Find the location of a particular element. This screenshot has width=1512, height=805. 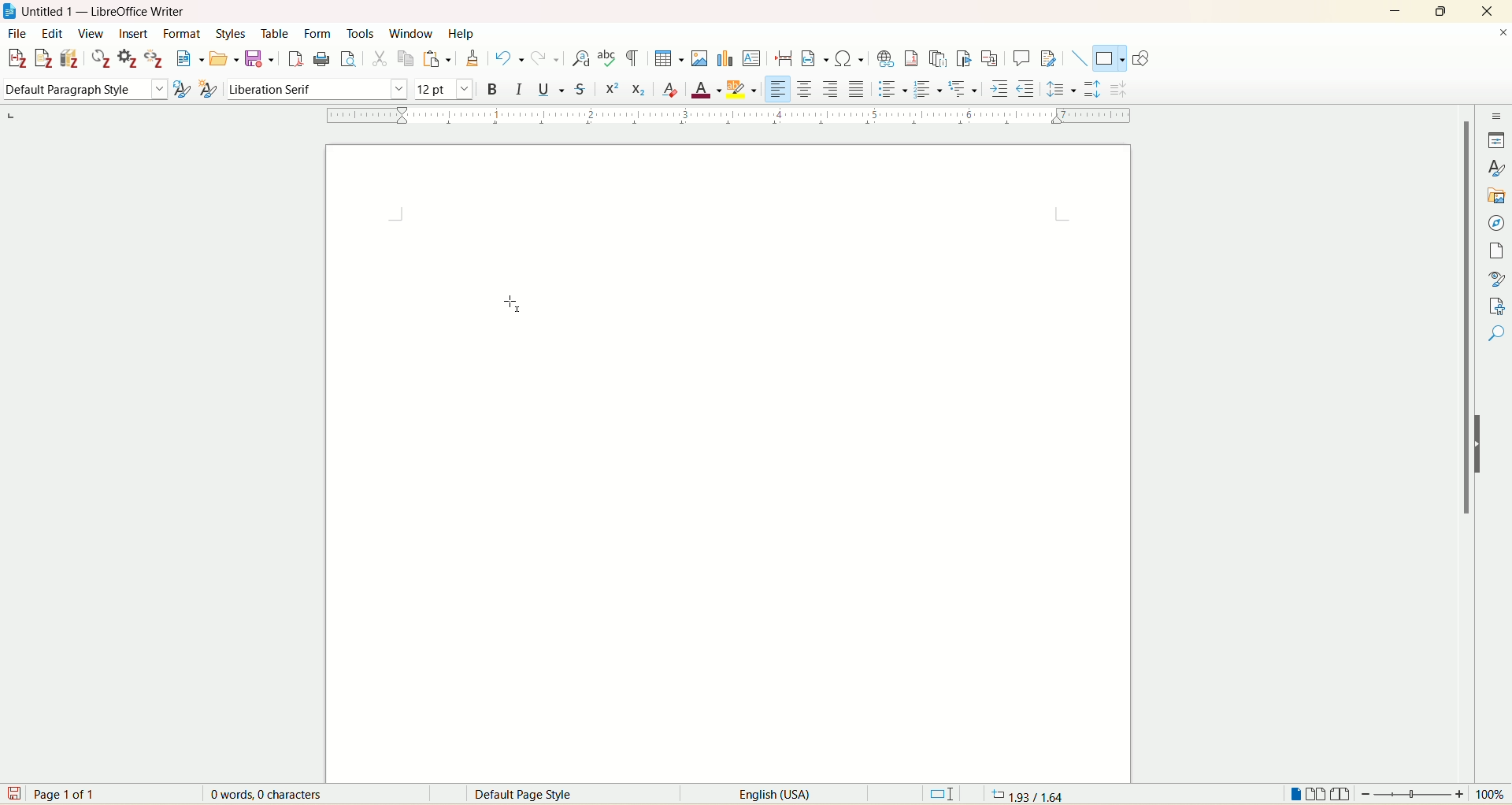

book view is located at coordinates (1340, 794).